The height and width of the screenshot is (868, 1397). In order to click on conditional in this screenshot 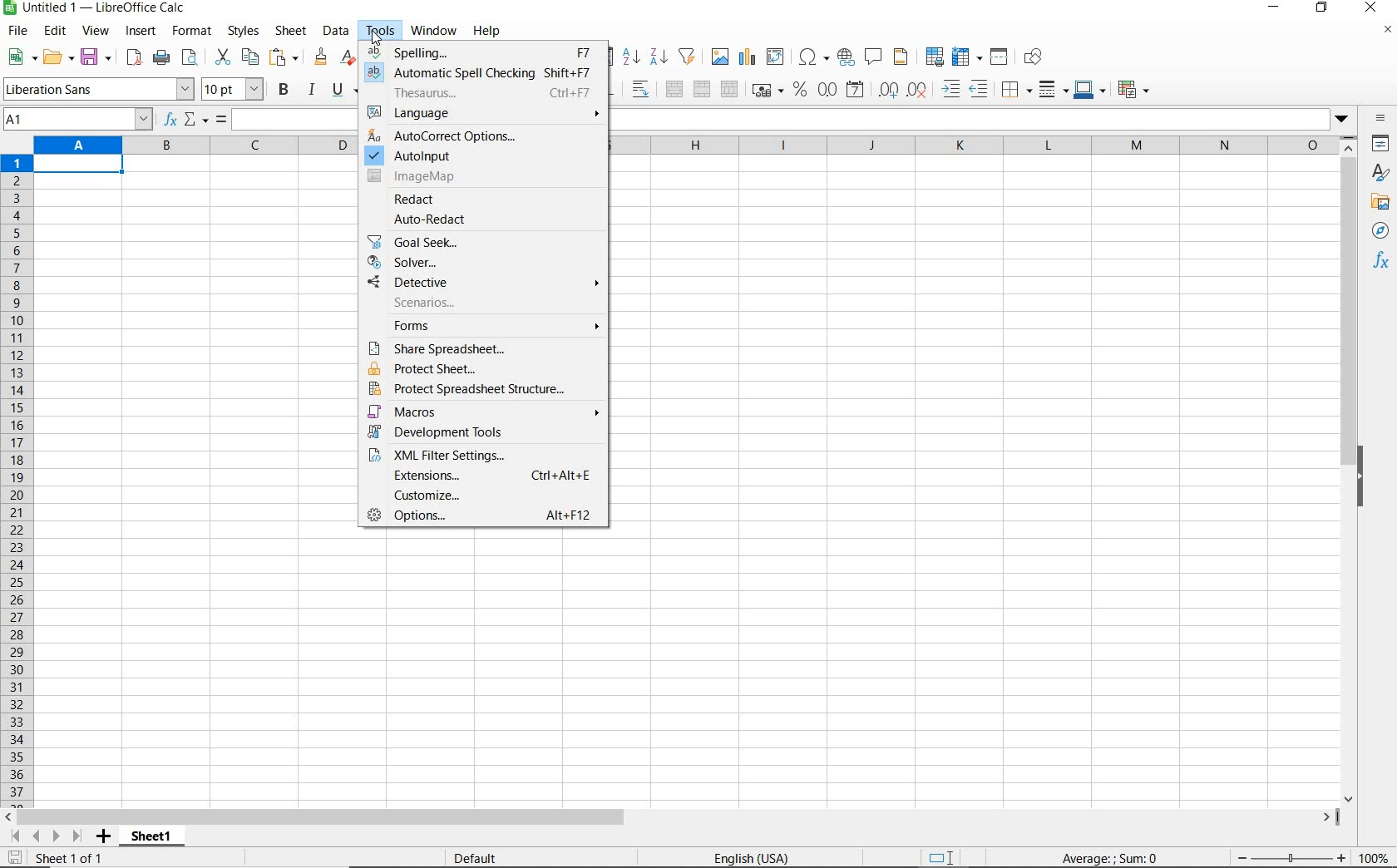, I will do `click(1133, 89)`.